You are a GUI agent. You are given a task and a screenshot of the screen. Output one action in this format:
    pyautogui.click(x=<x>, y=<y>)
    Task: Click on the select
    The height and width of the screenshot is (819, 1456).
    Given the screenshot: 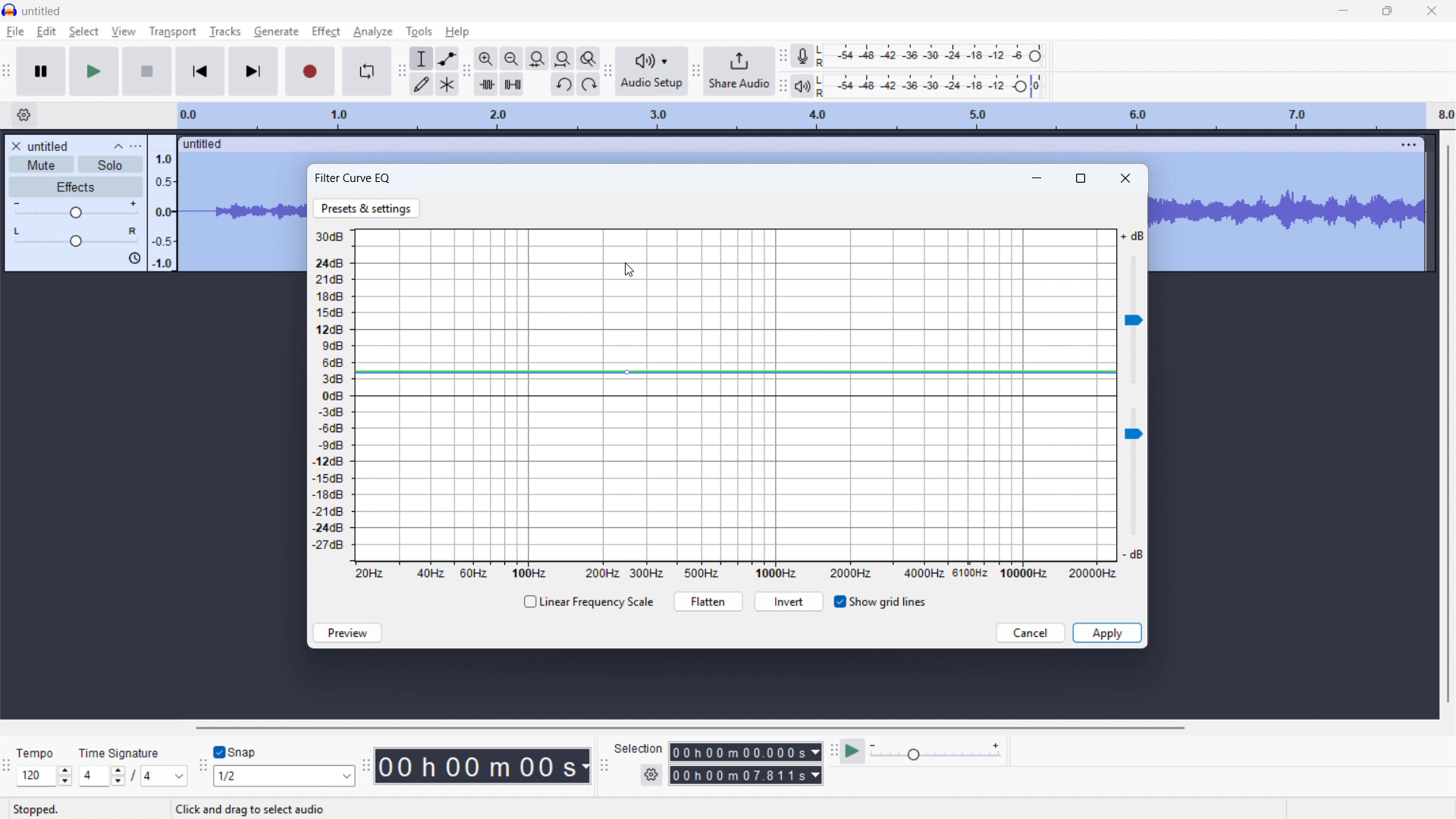 What is the action you would take?
    pyautogui.click(x=85, y=32)
    